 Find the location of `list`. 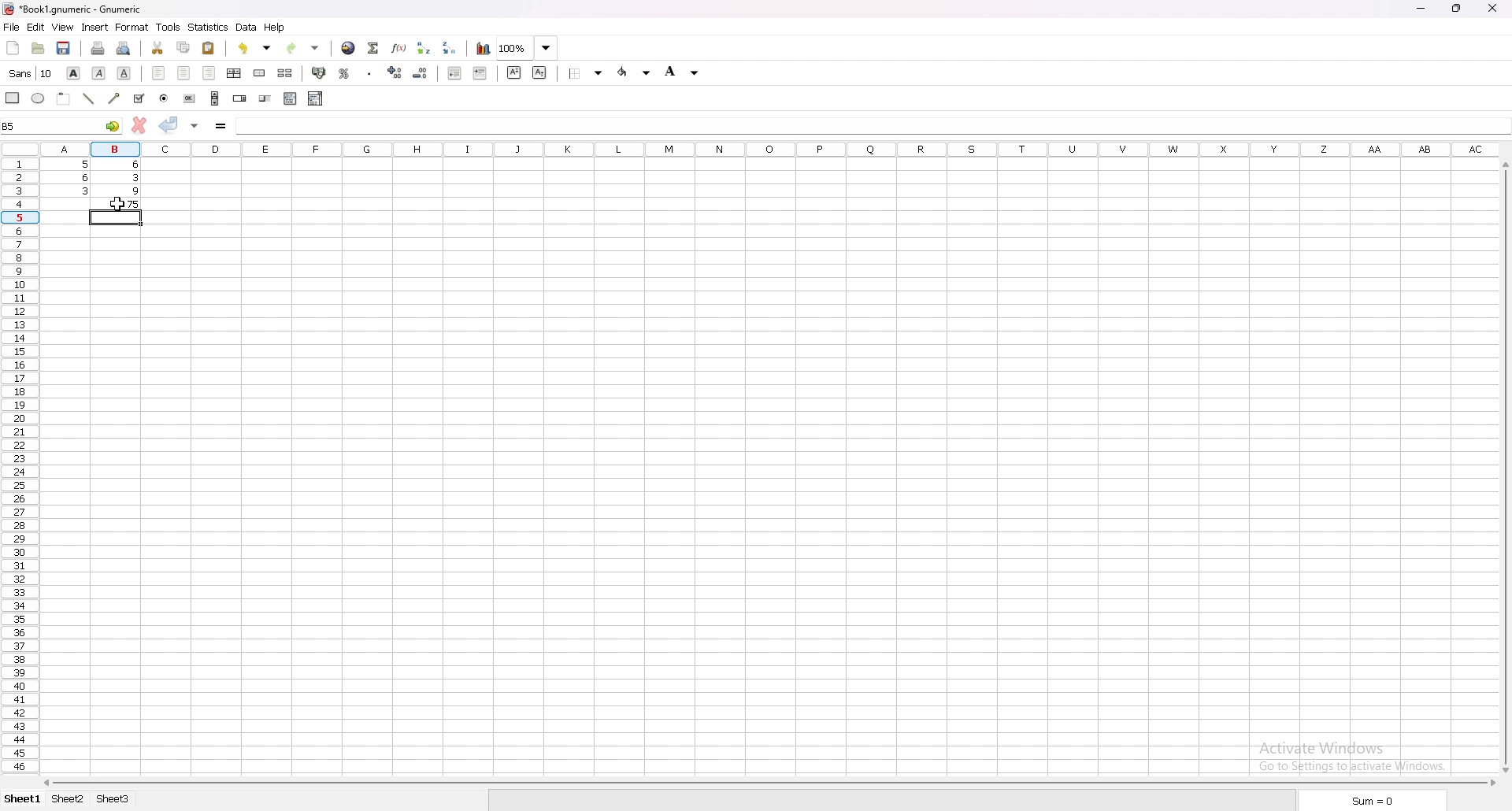

list is located at coordinates (290, 98).